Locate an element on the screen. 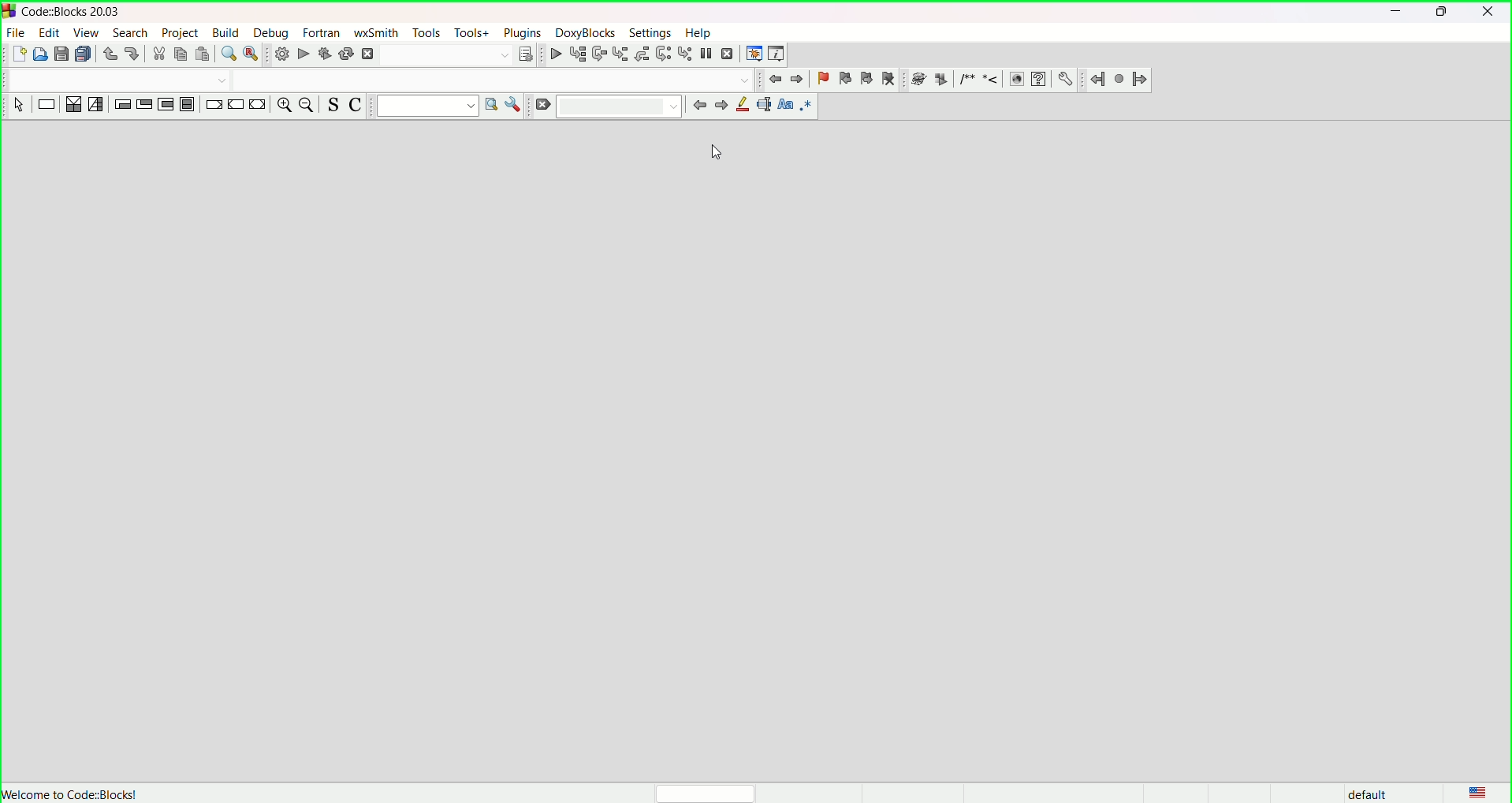  debug is located at coordinates (272, 32).